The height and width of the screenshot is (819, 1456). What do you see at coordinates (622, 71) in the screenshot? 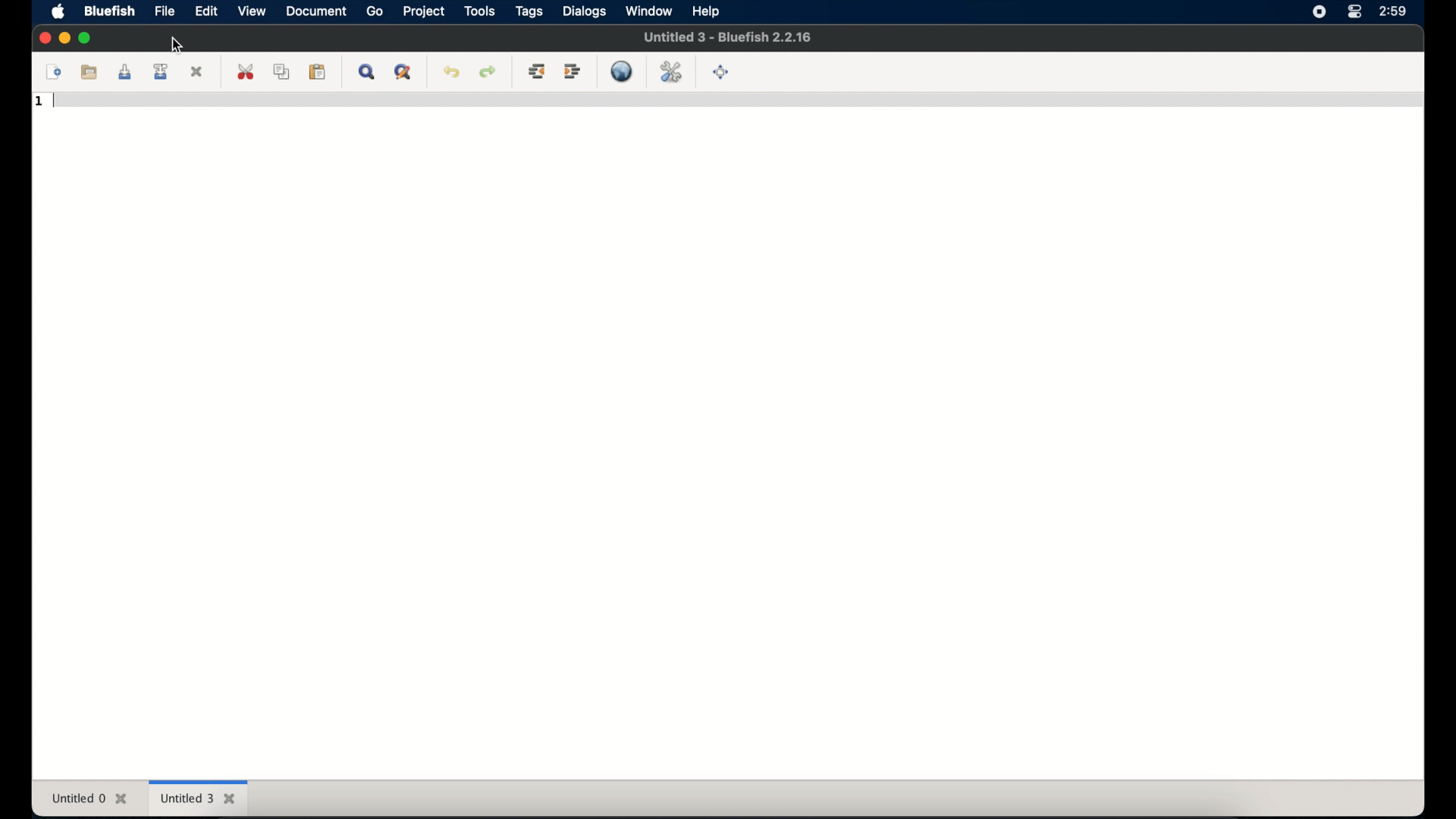
I see `preview in browser` at bounding box center [622, 71].